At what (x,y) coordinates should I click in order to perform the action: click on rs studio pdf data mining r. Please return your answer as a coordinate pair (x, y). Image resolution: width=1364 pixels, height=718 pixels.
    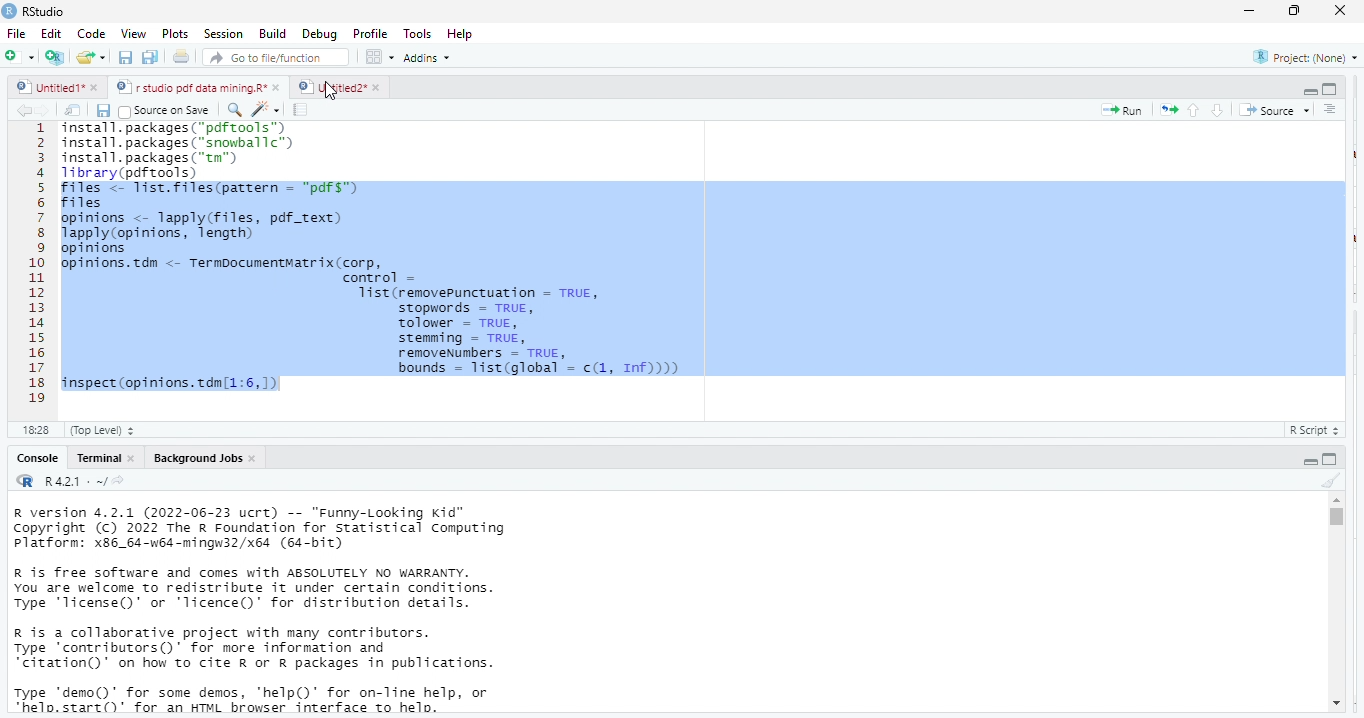
    Looking at the image, I should click on (190, 88).